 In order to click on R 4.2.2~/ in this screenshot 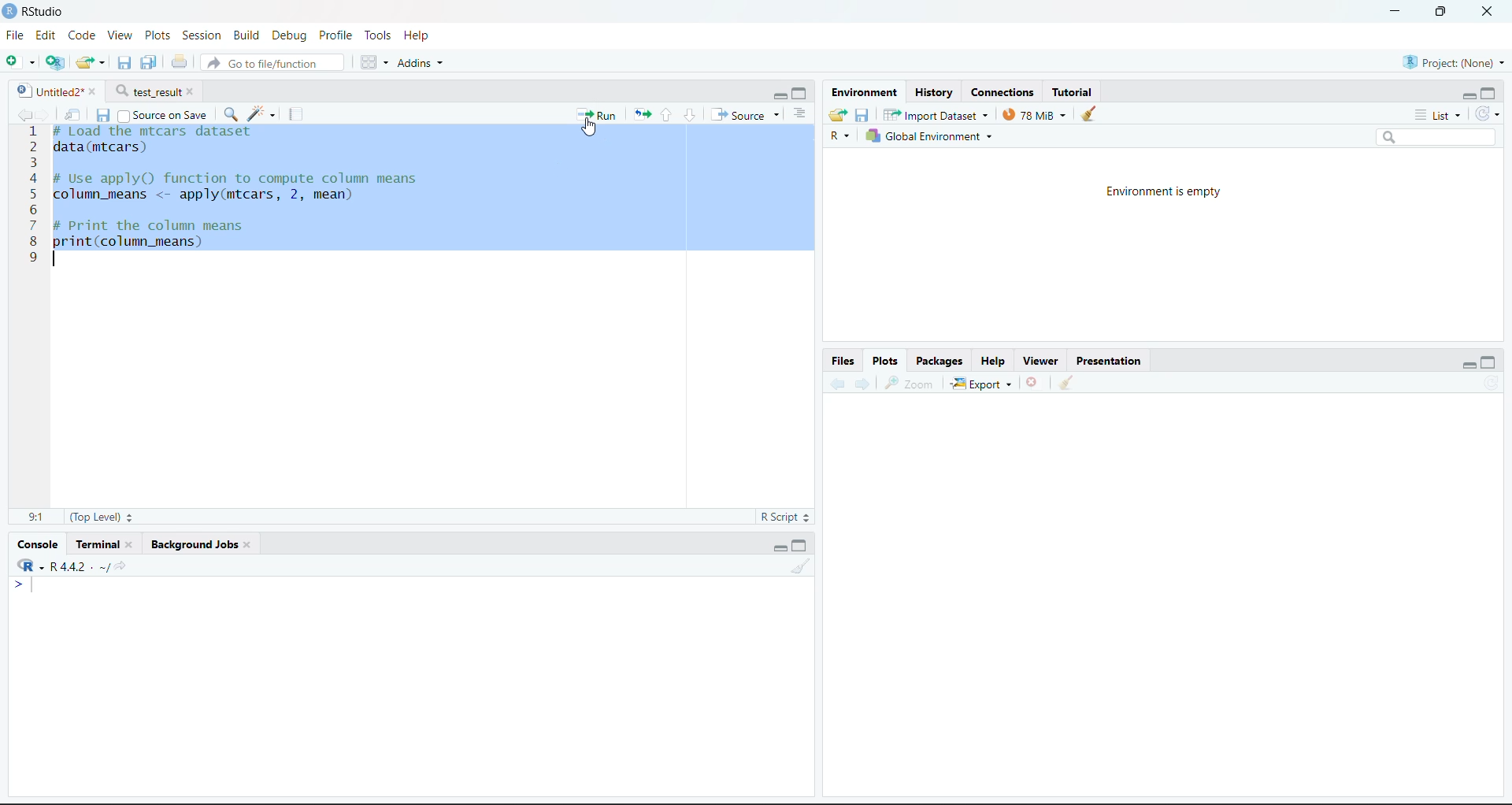, I will do `click(78, 566)`.